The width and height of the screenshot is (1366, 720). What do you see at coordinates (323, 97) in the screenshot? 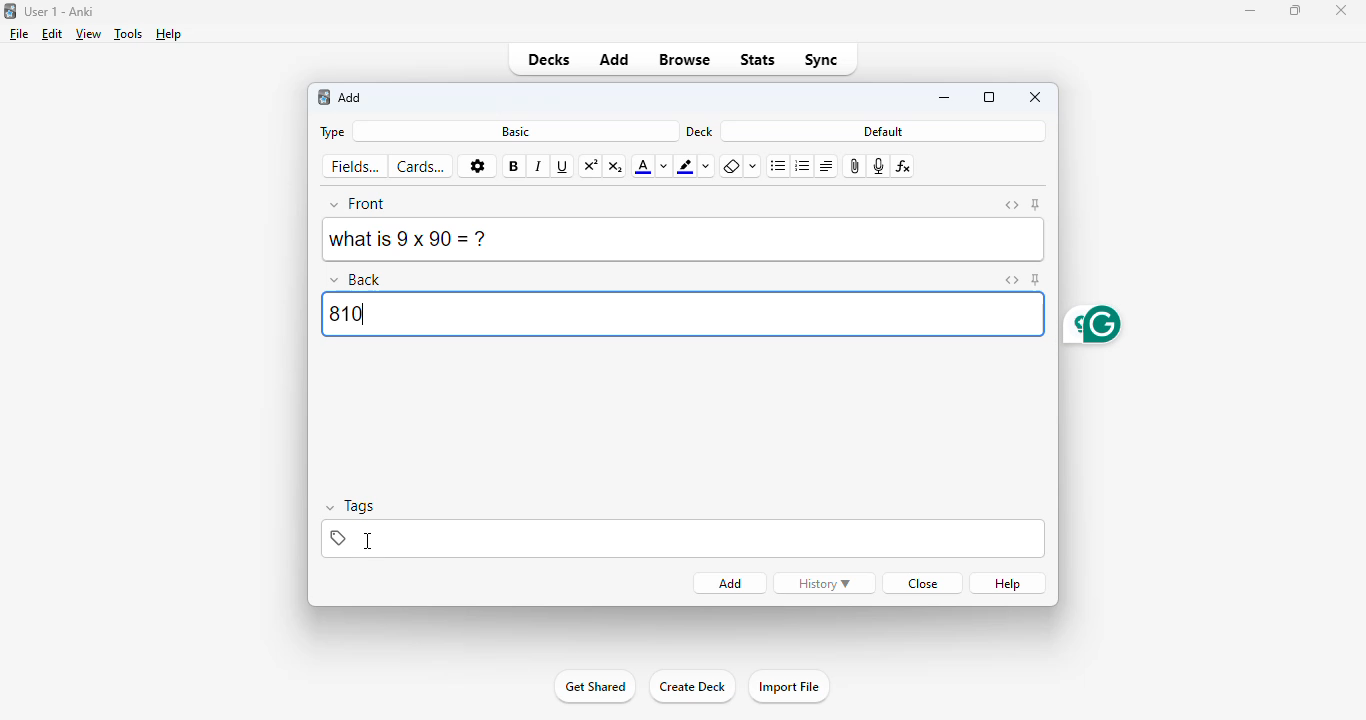
I see `logo` at bounding box center [323, 97].